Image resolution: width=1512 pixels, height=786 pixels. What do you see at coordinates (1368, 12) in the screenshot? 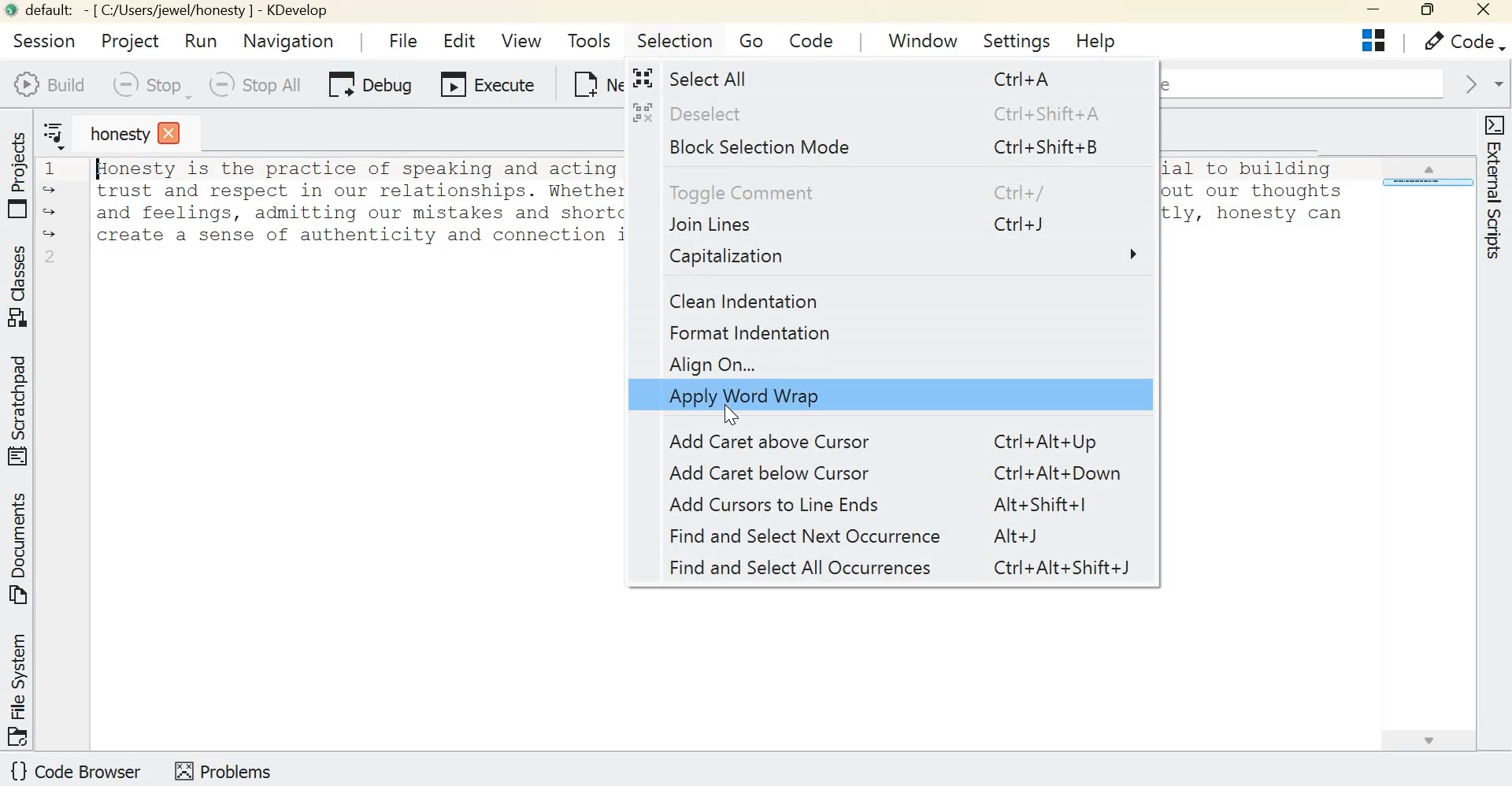
I see `Minimize` at bounding box center [1368, 12].